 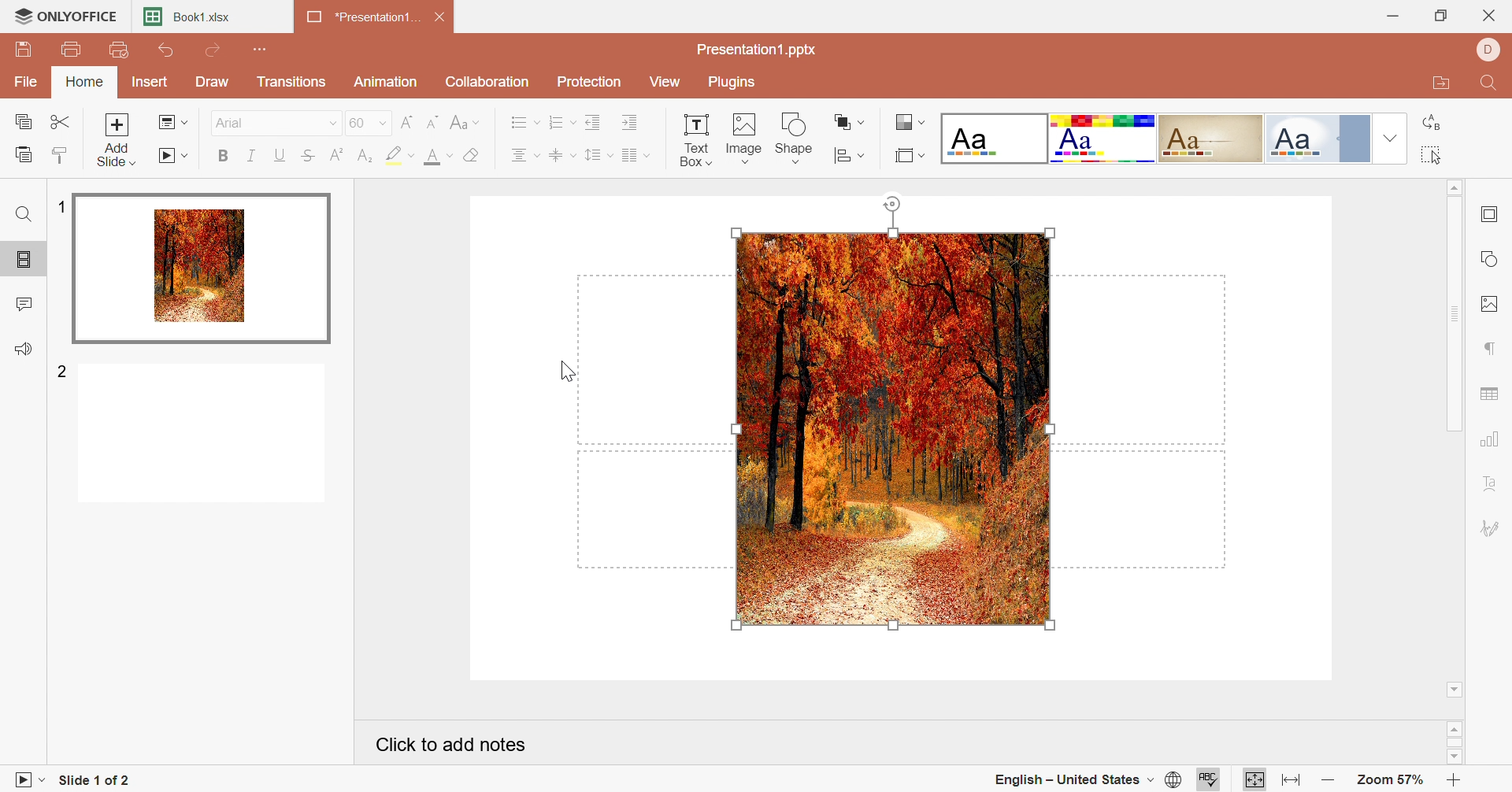 I want to click on Strikethrough, so click(x=308, y=156).